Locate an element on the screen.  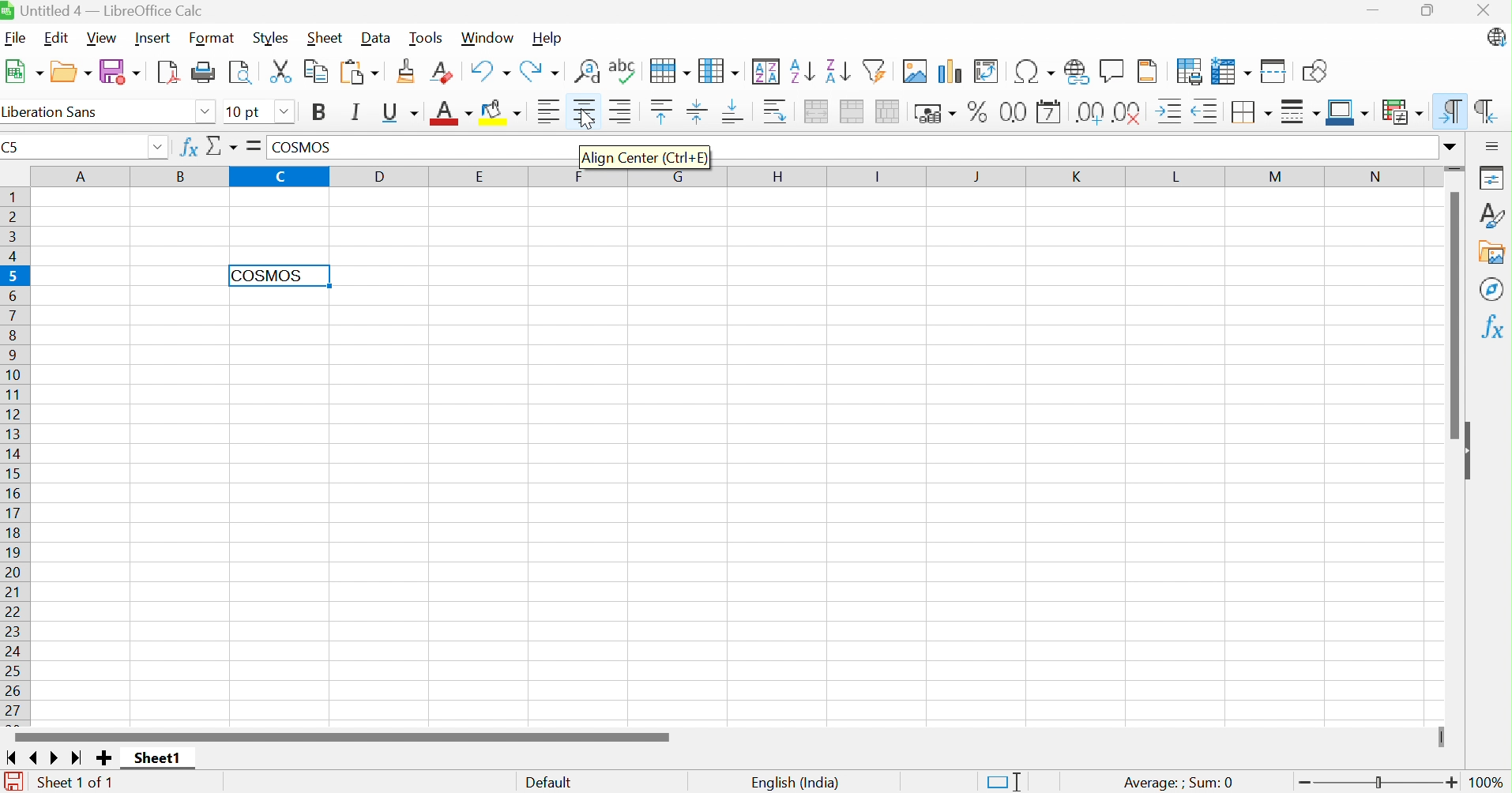
Underline is located at coordinates (401, 115).